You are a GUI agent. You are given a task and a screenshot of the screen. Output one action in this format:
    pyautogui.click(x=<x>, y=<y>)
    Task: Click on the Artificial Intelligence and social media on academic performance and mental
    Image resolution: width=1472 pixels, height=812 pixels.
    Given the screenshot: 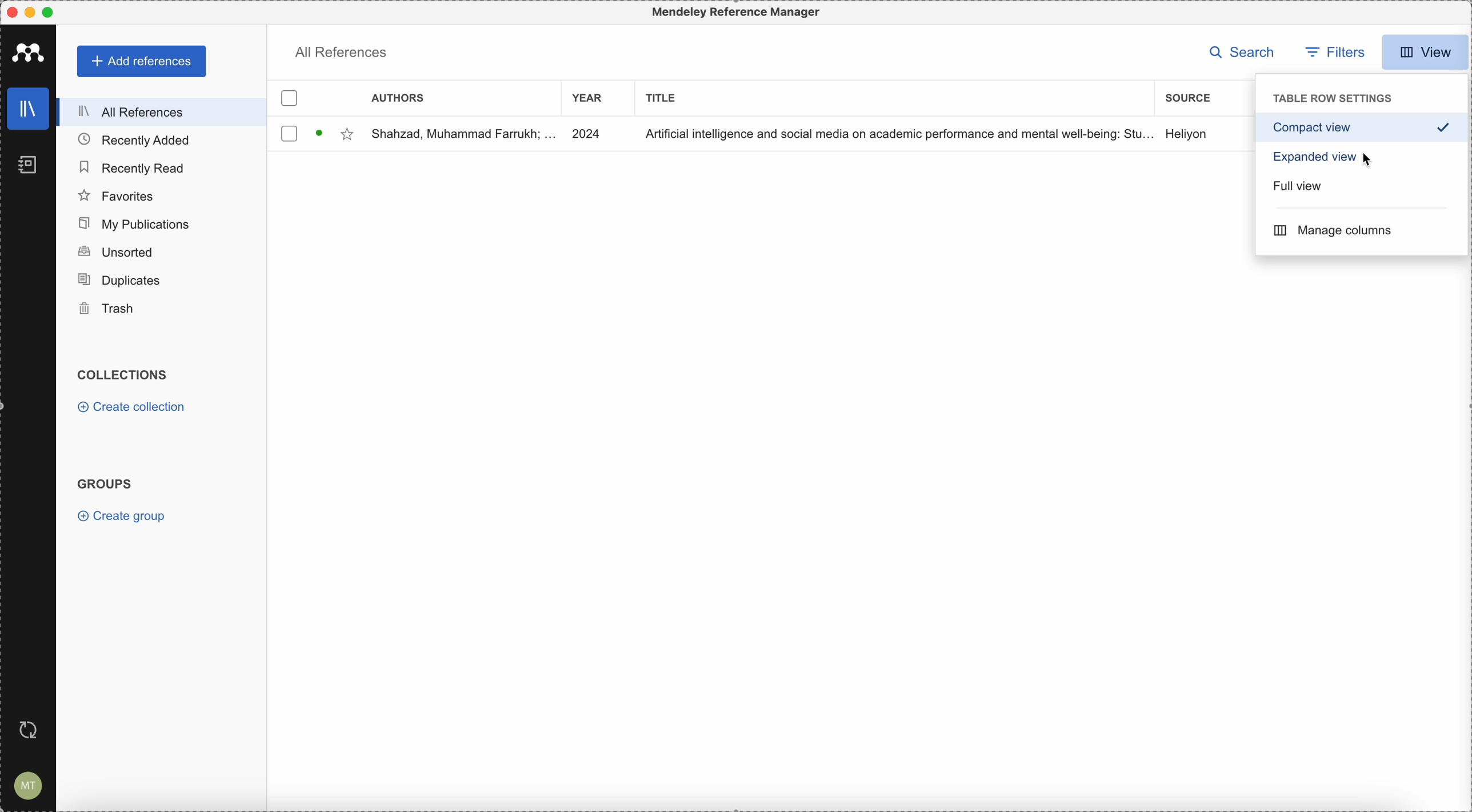 What is the action you would take?
    pyautogui.click(x=897, y=134)
    